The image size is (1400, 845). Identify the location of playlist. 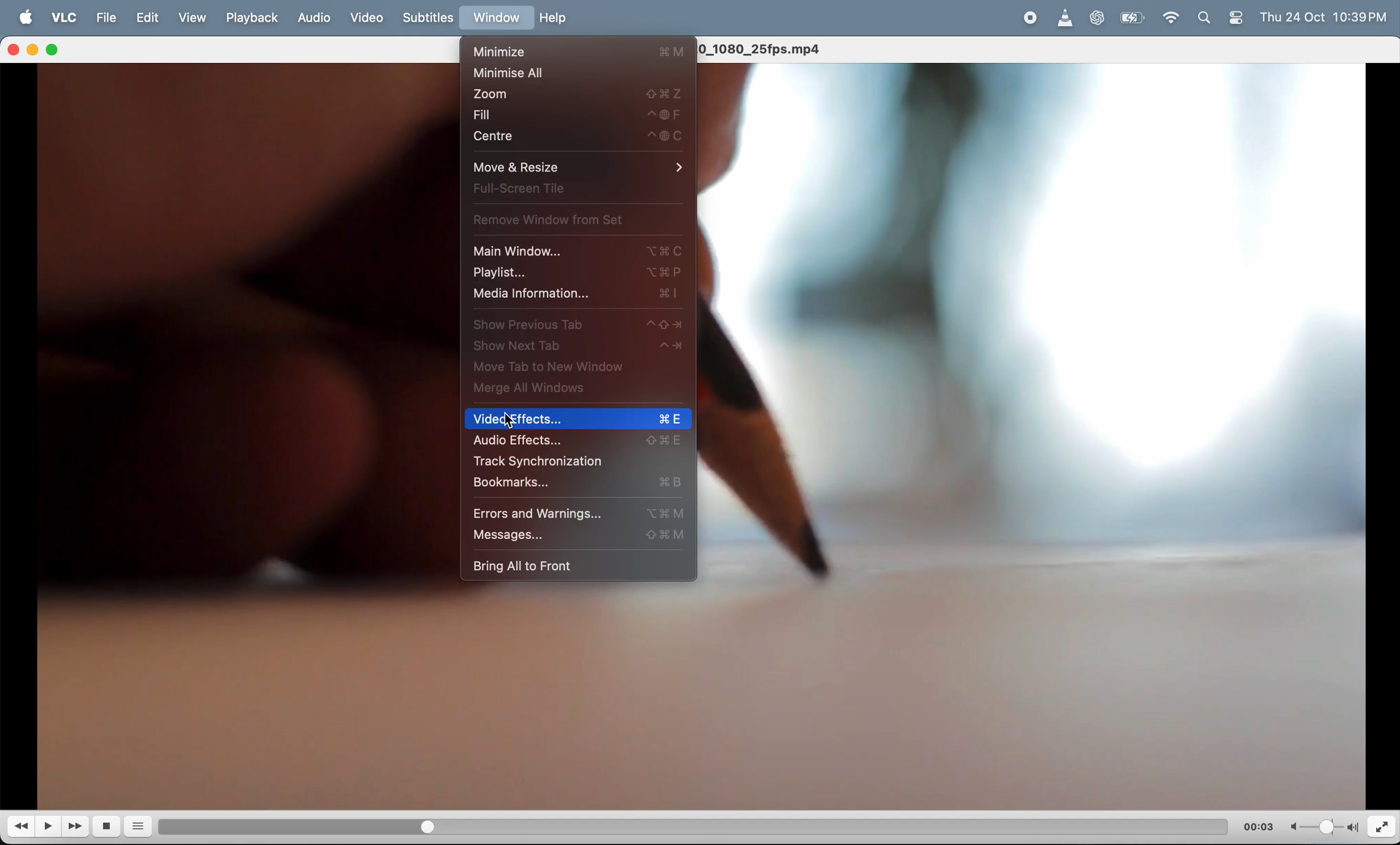
(577, 273).